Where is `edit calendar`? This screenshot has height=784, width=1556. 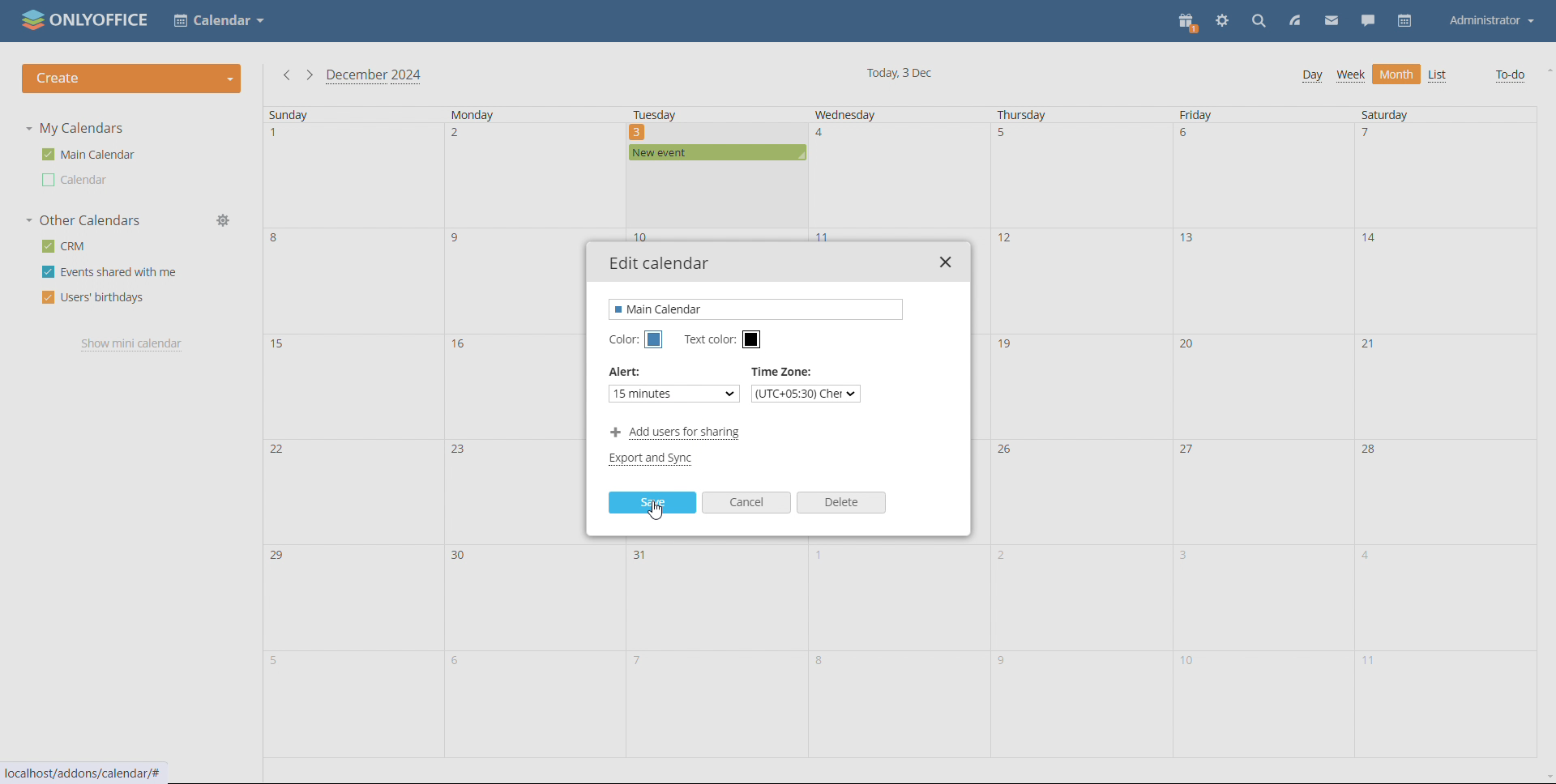 edit calendar is located at coordinates (660, 263).